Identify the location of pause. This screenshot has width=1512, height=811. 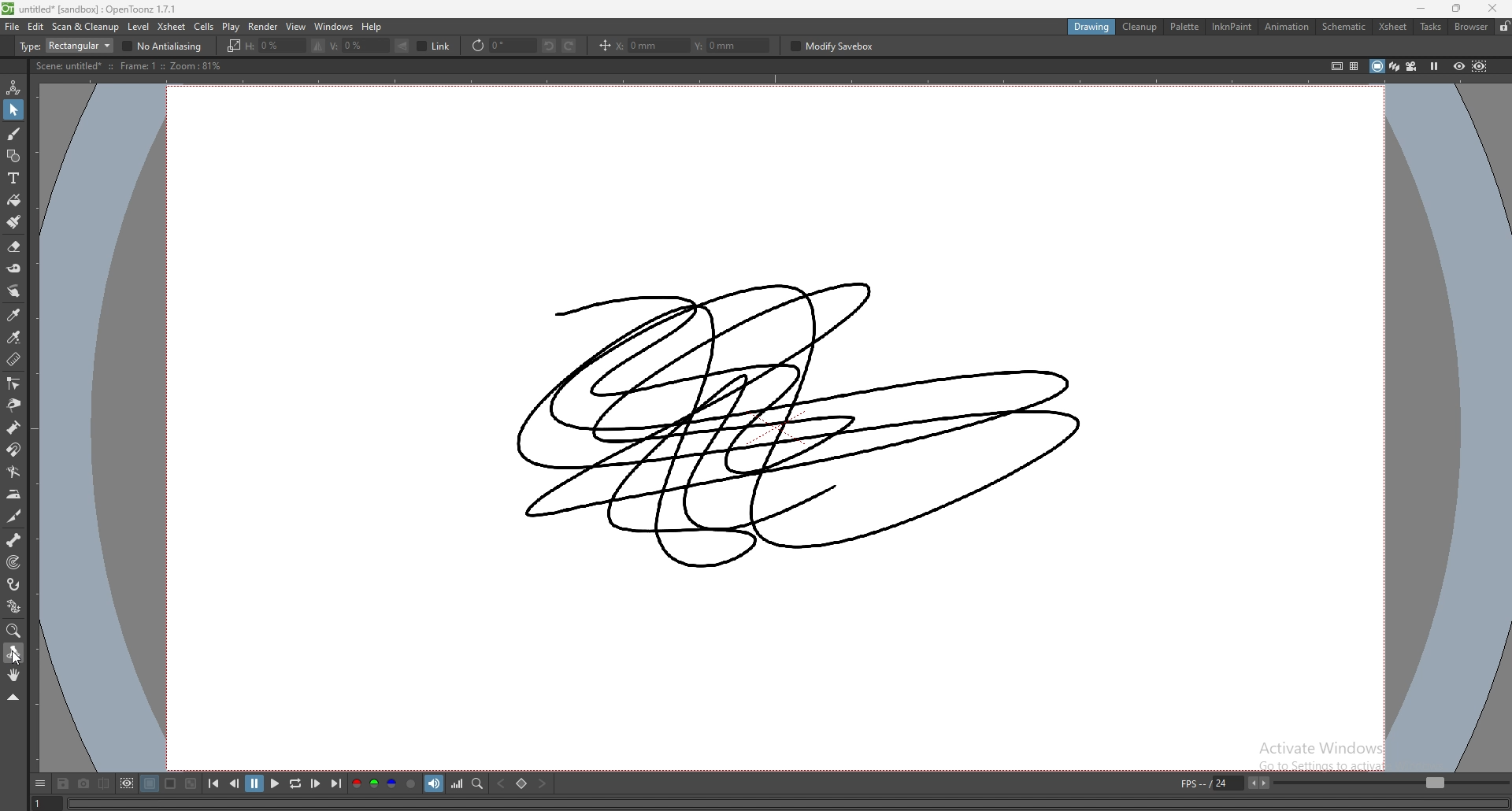
(256, 785).